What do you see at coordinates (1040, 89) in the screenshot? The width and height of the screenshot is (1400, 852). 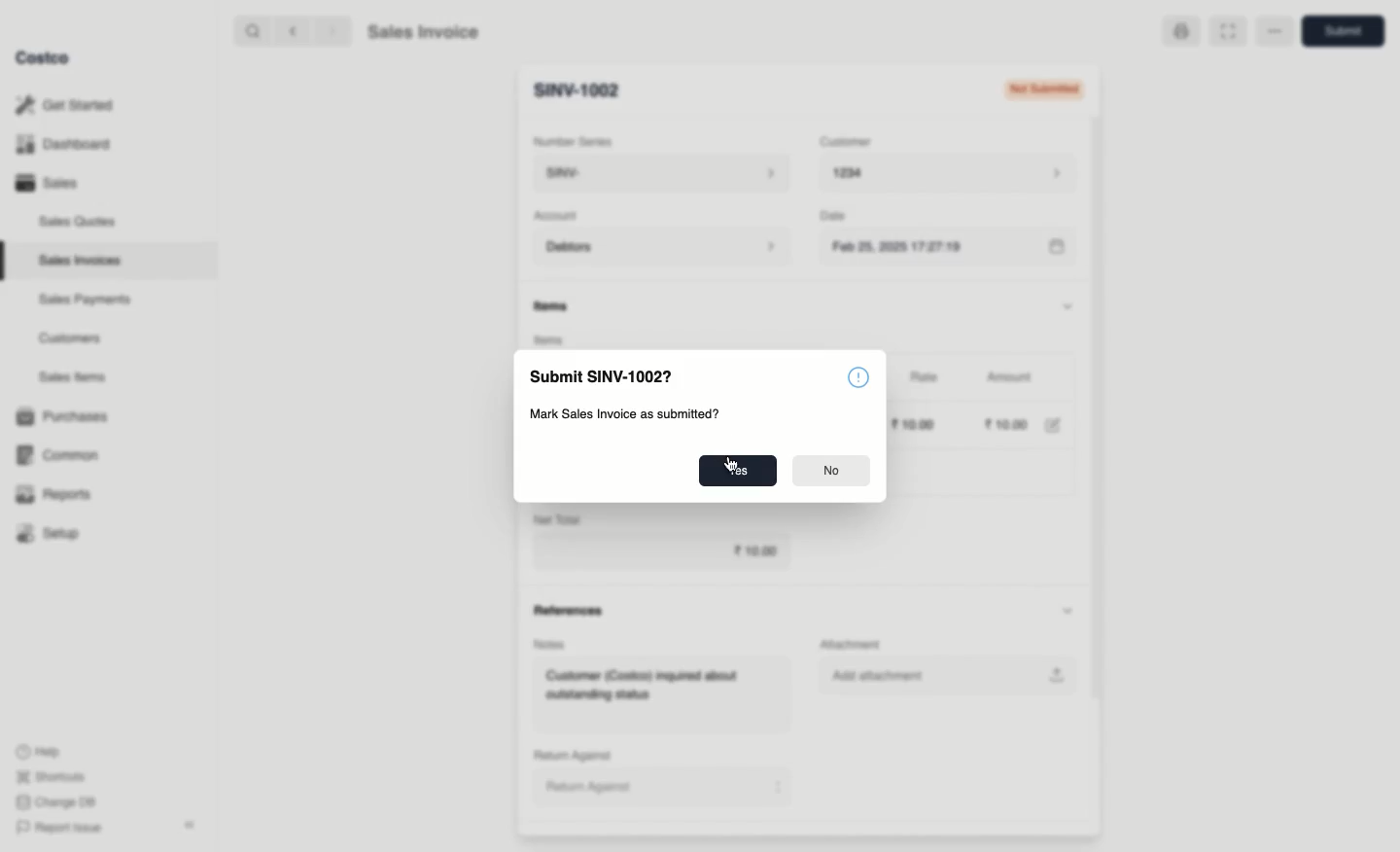 I see `Not submitted` at bounding box center [1040, 89].